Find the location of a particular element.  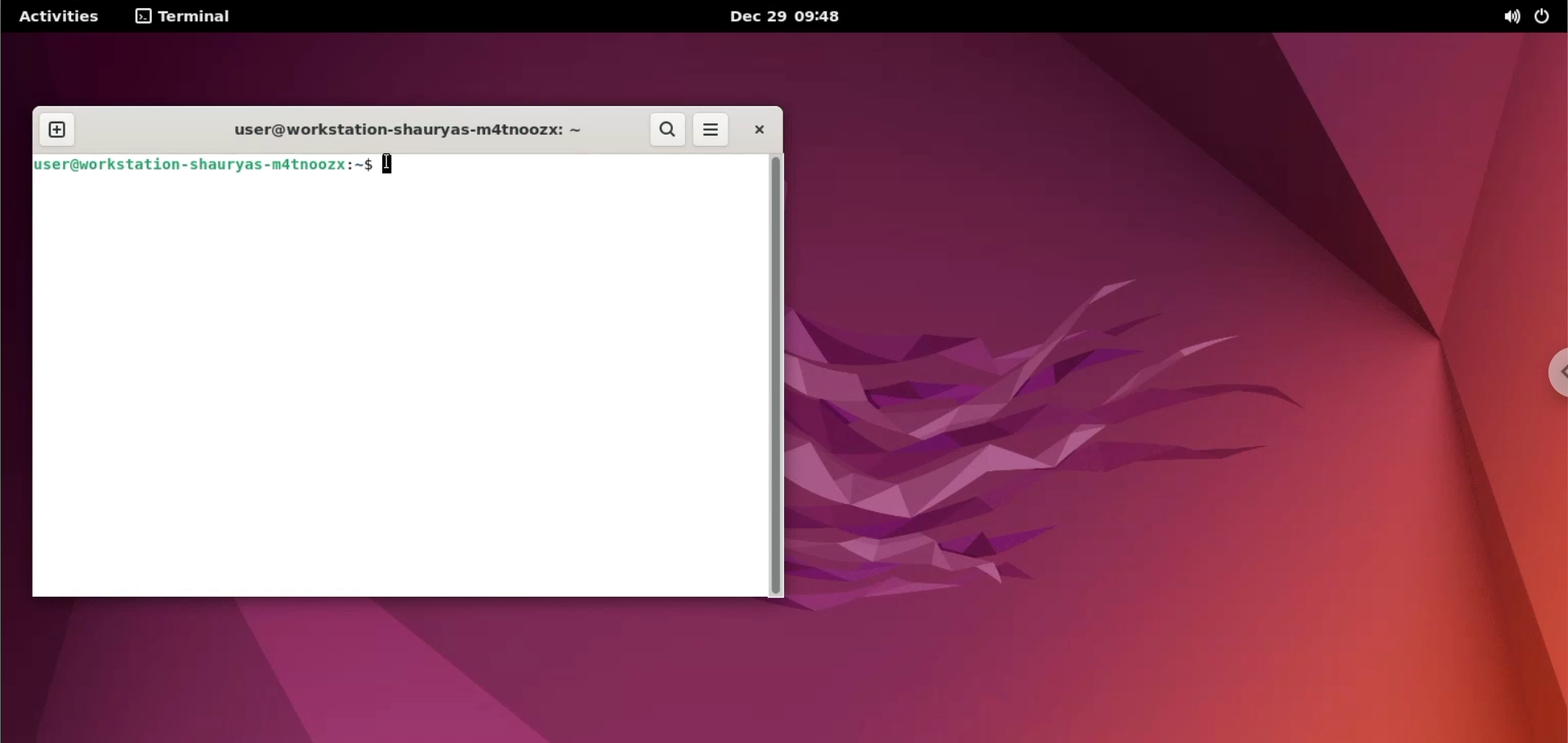

search button is located at coordinates (669, 130).